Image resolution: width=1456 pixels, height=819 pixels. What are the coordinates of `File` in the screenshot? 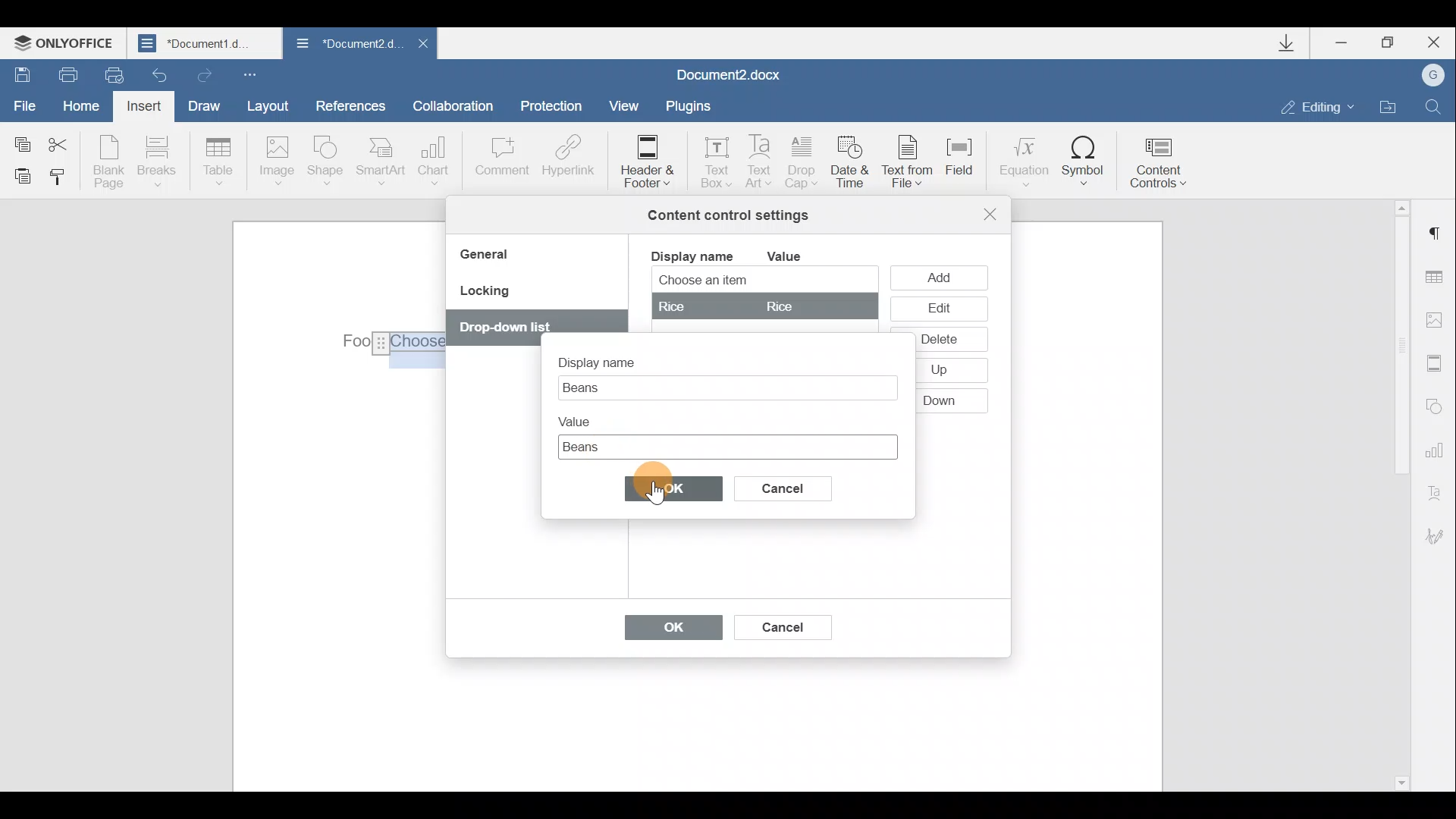 It's located at (26, 104).